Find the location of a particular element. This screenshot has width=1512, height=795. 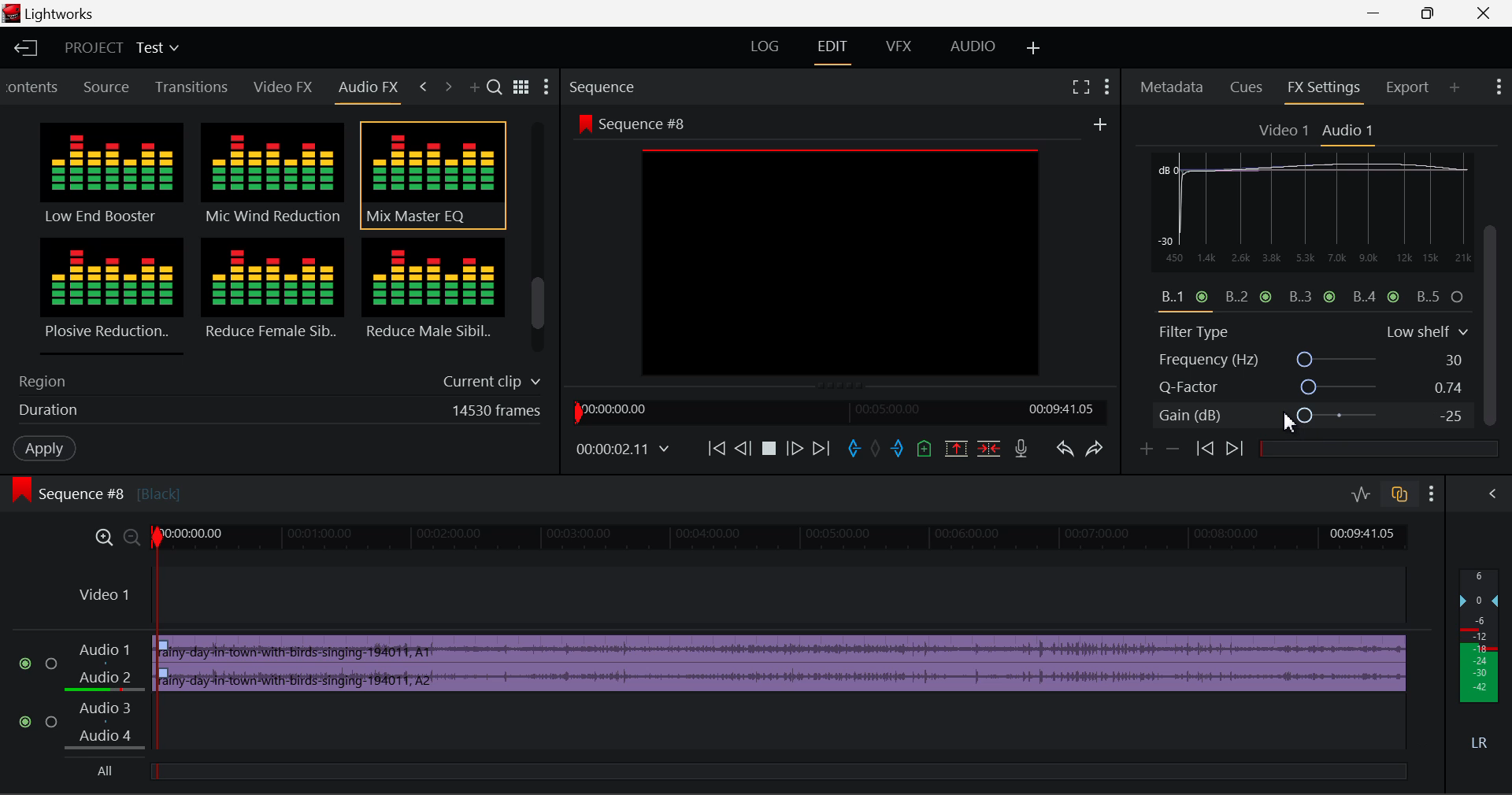

Timeline Zoom Out is located at coordinates (132, 539).